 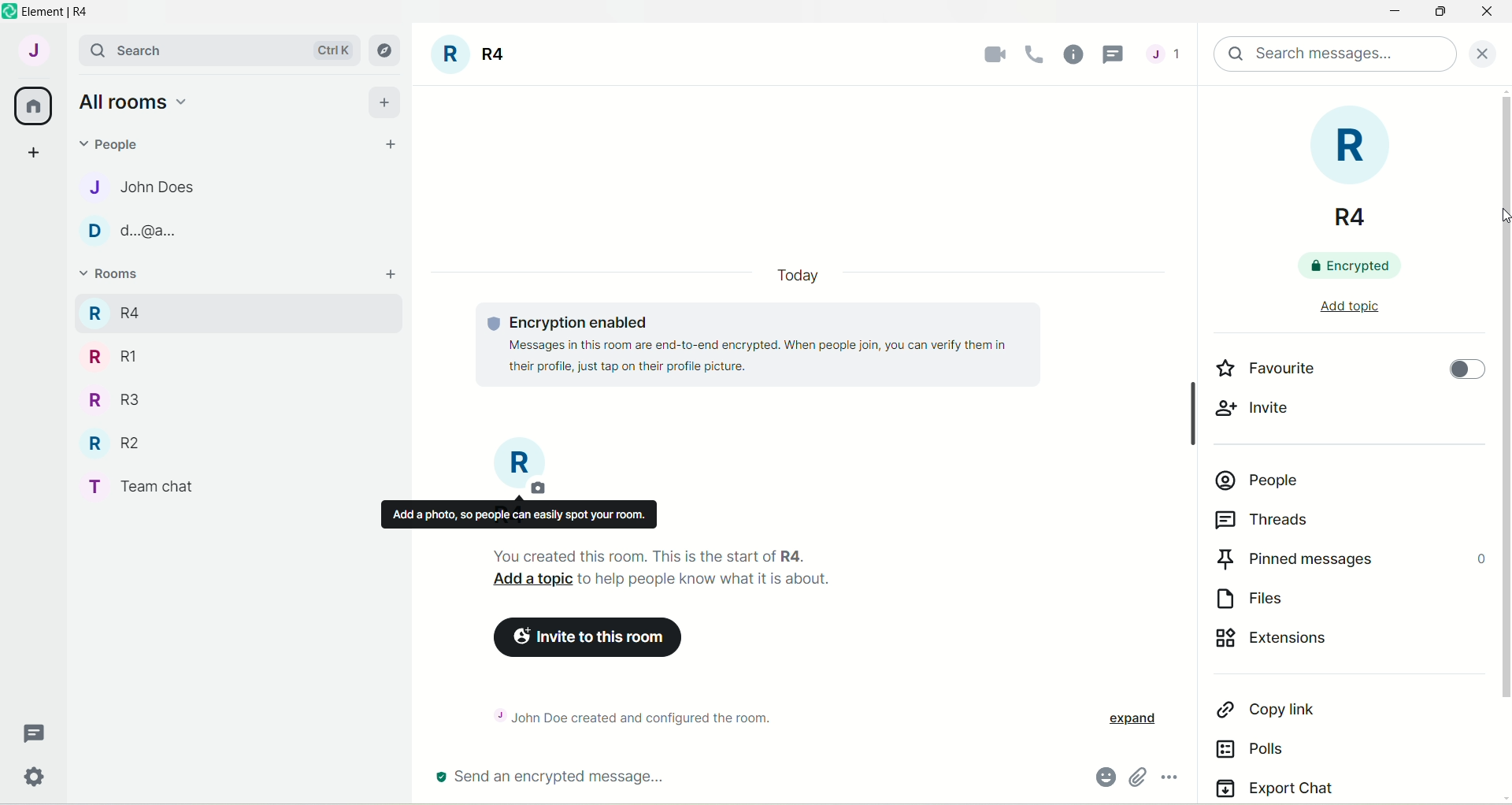 What do you see at coordinates (1038, 54) in the screenshot?
I see `voice call` at bounding box center [1038, 54].